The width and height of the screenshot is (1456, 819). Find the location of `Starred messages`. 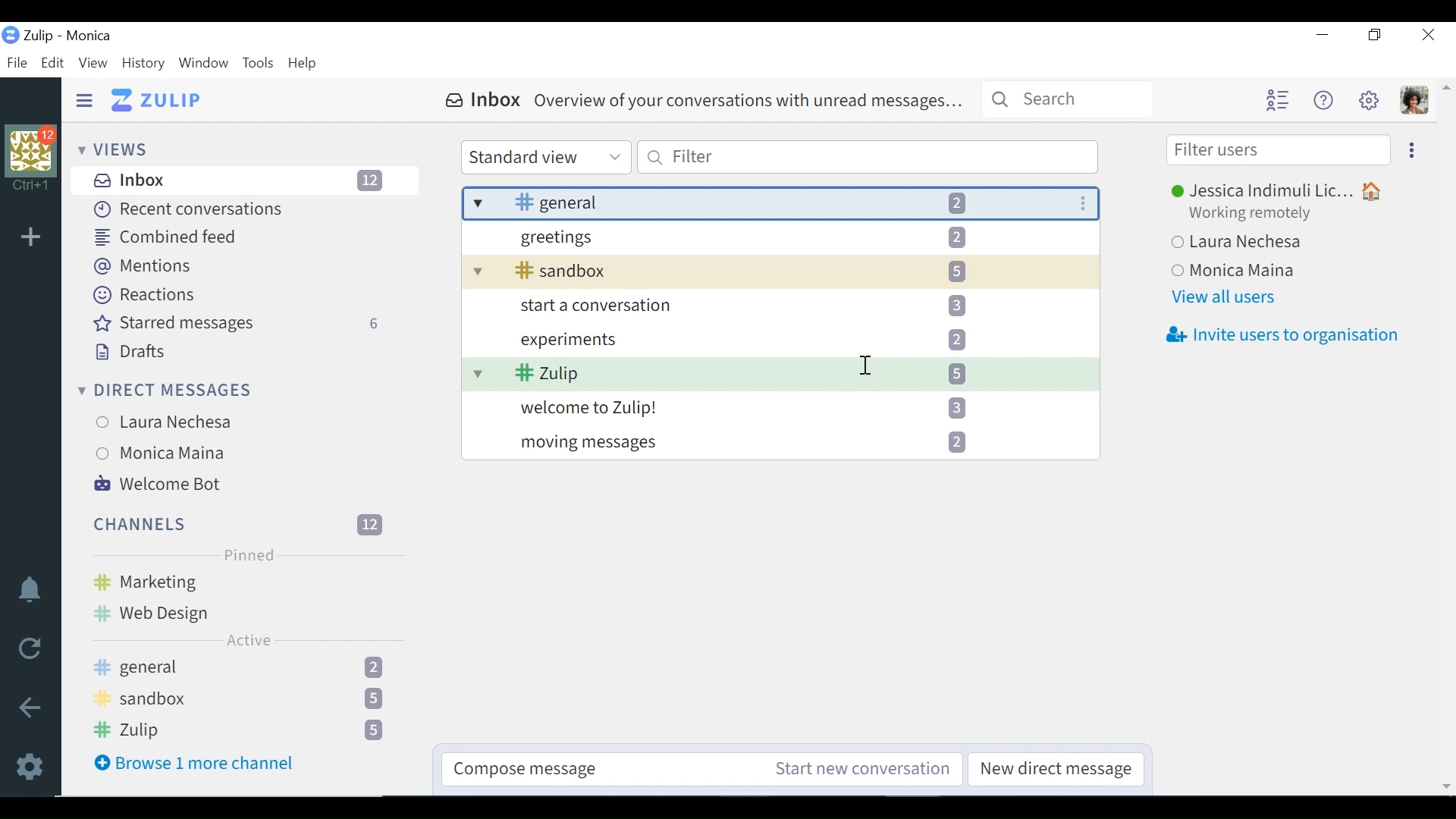

Starred messages is located at coordinates (240, 326).